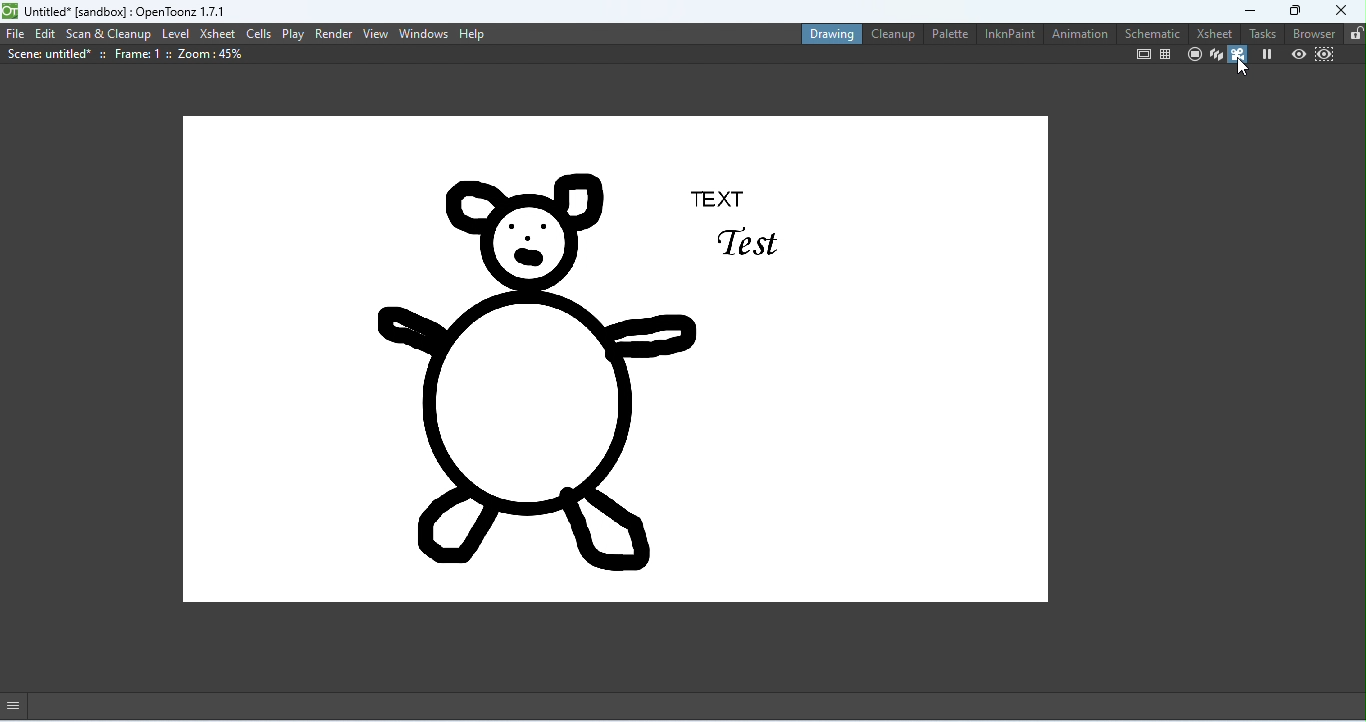 Image resolution: width=1366 pixels, height=722 pixels. Describe the element at coordinates (1322, 55) in the screenshot. I see `Sub-camera preview` at that location.